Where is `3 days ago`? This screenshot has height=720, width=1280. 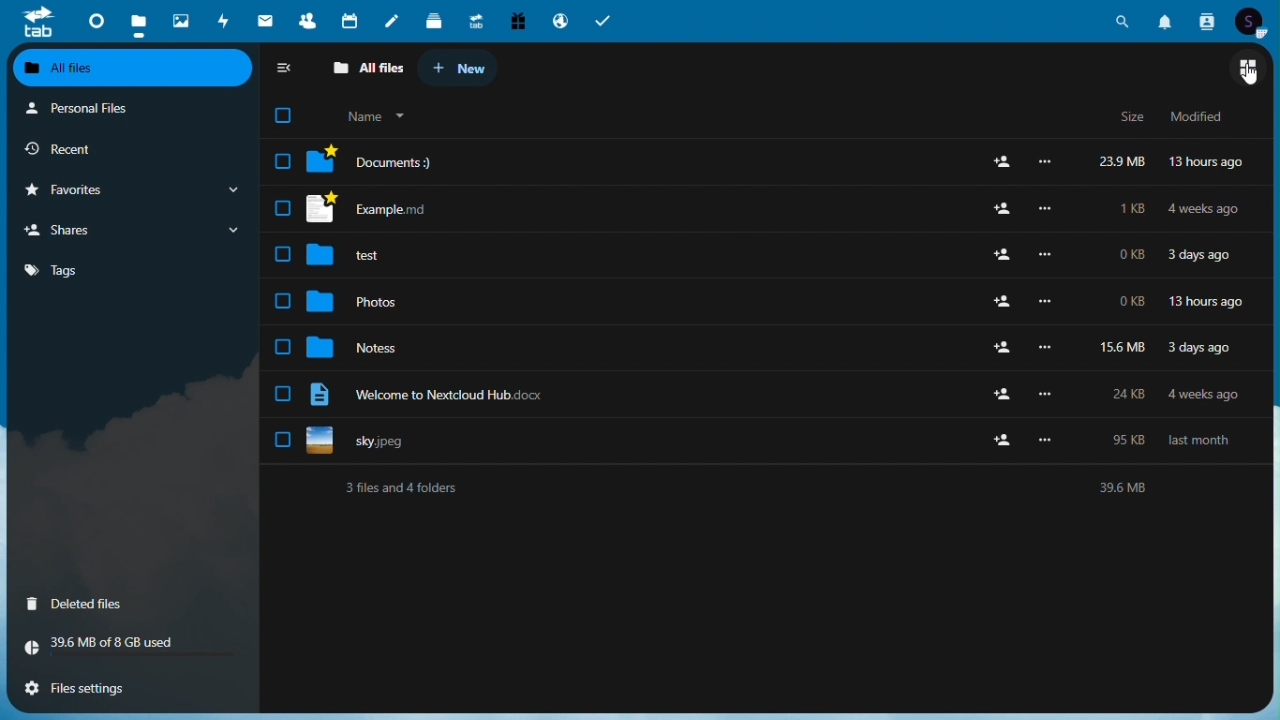 3 days ago is located at coordinates (1201, 257).